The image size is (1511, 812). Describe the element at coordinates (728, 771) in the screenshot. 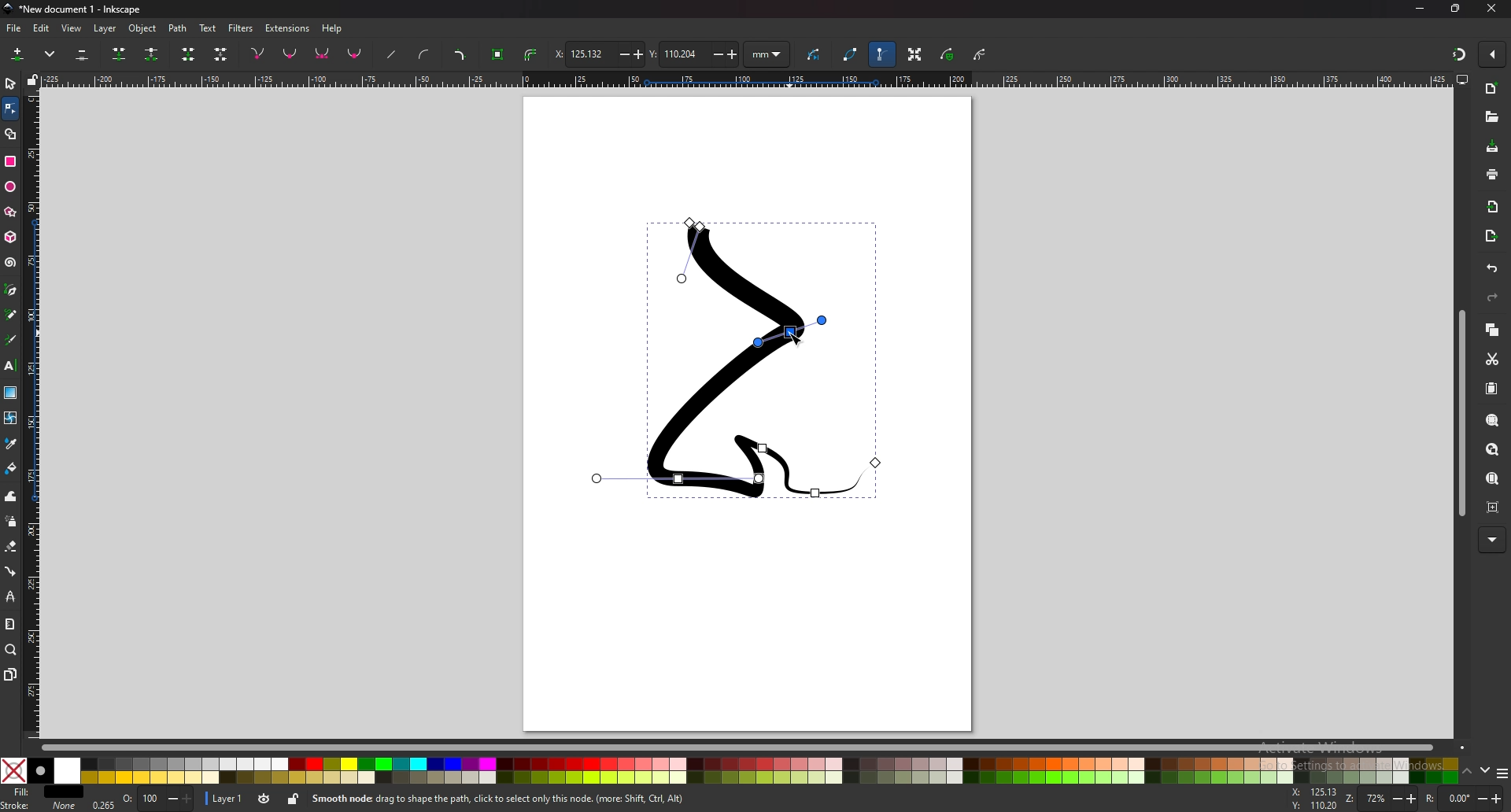

I see `colors` at that location.